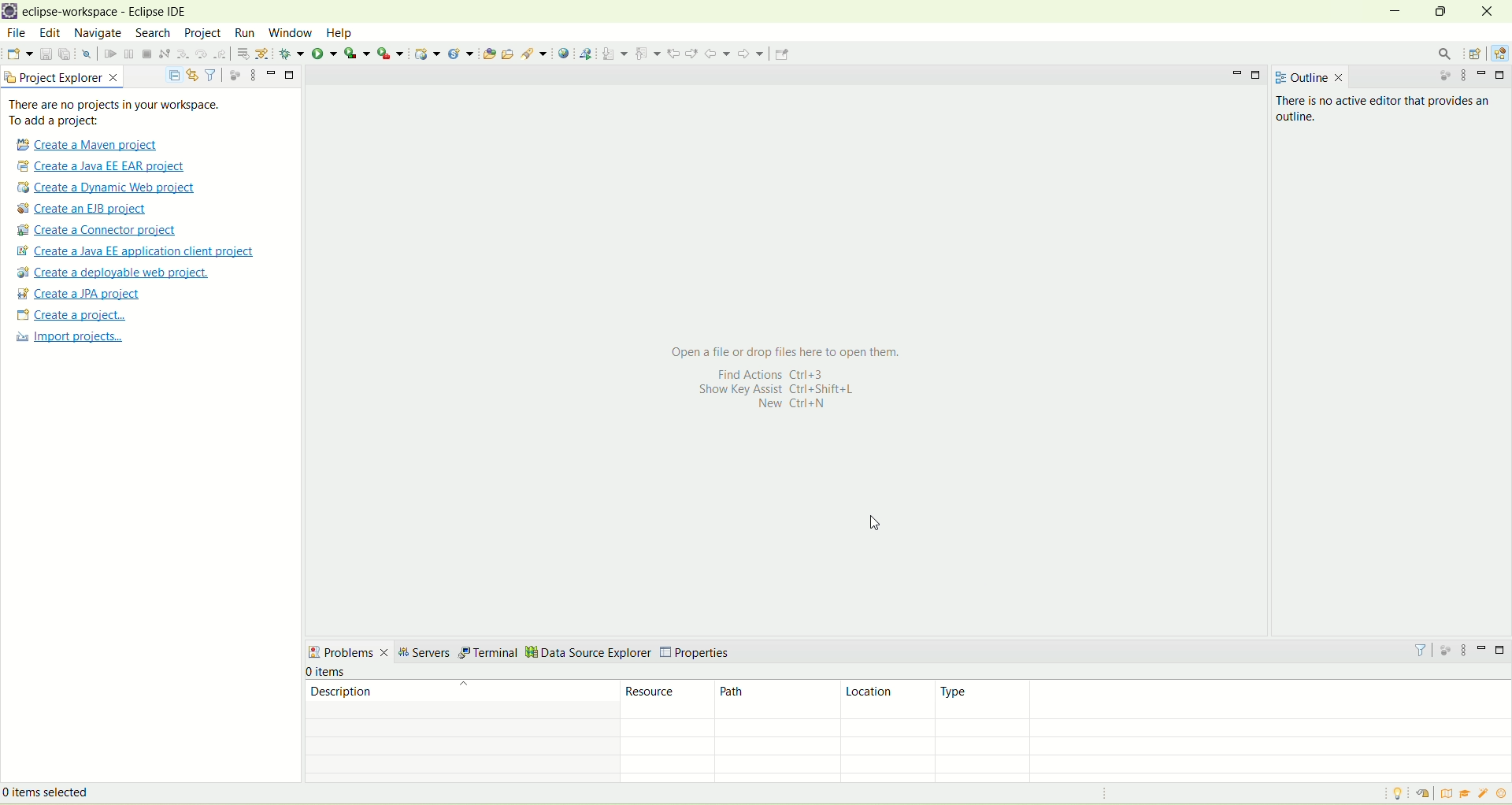 Image resolution: width=1512 pixels, height=805 pixels. Describe the element at coordinates (550, 54) in the screenshot. I see `open type` at that location.